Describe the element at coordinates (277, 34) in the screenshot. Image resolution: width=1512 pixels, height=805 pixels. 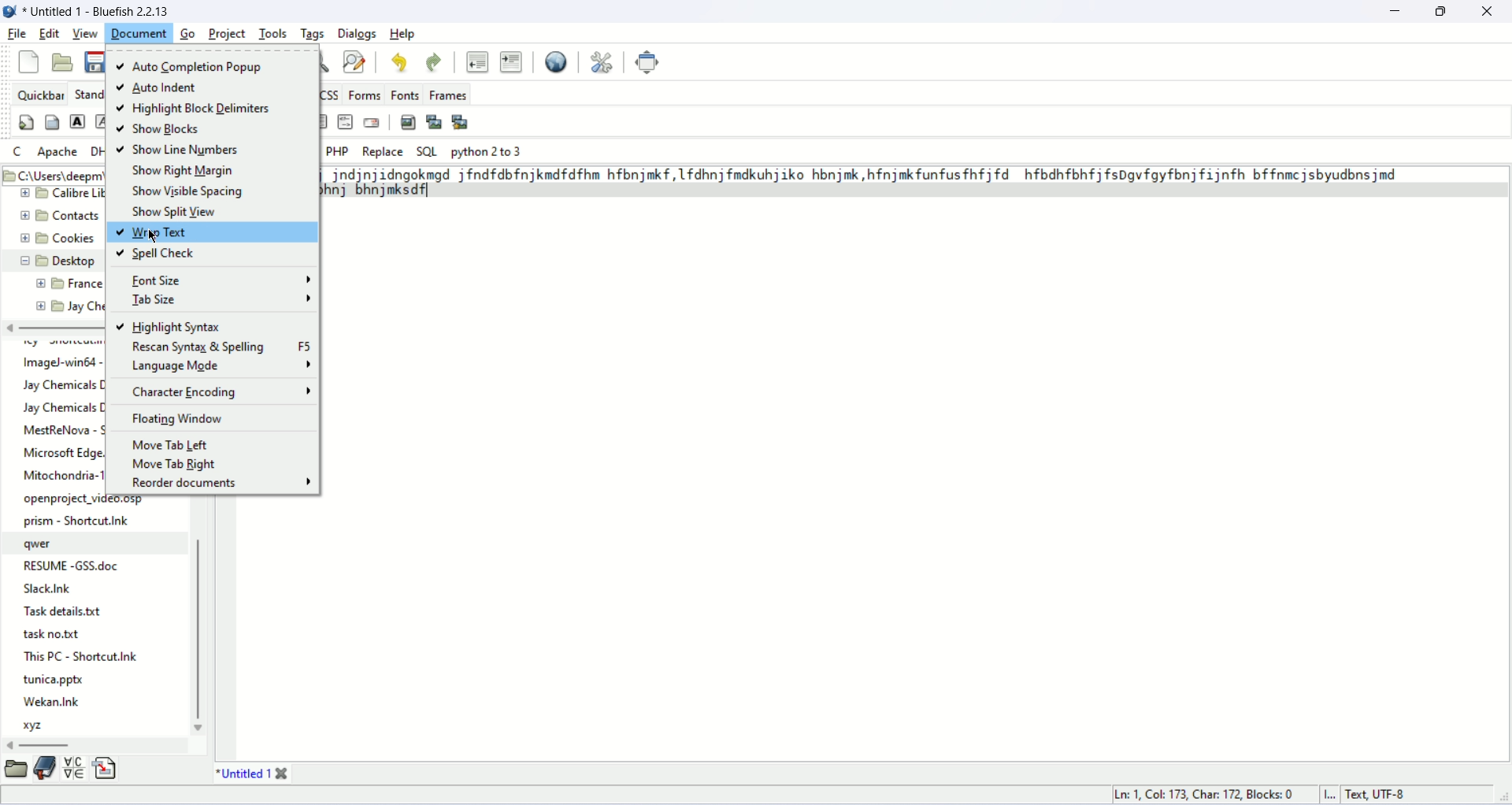
I see `tools` at that location.